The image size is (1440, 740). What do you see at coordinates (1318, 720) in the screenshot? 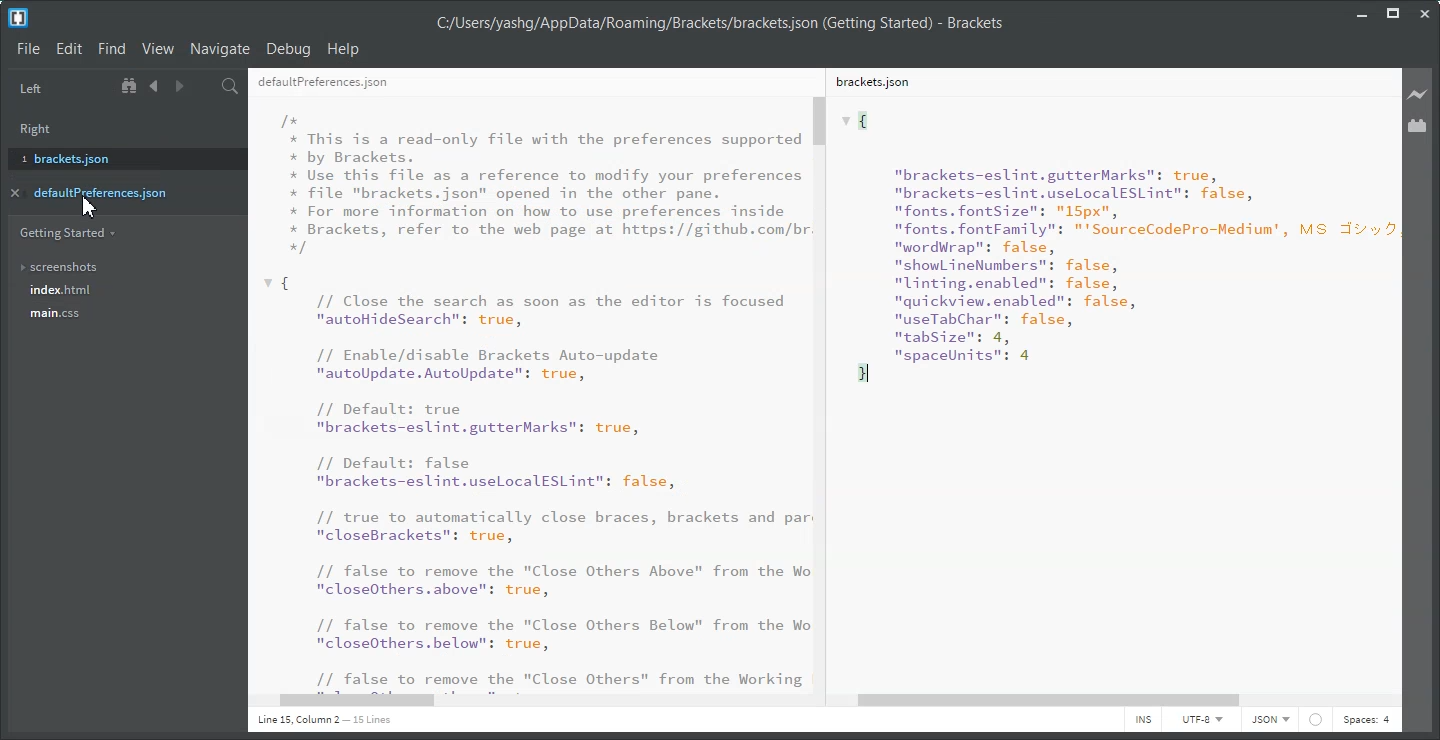
I see `circle` at bounding box center [1318, 720].